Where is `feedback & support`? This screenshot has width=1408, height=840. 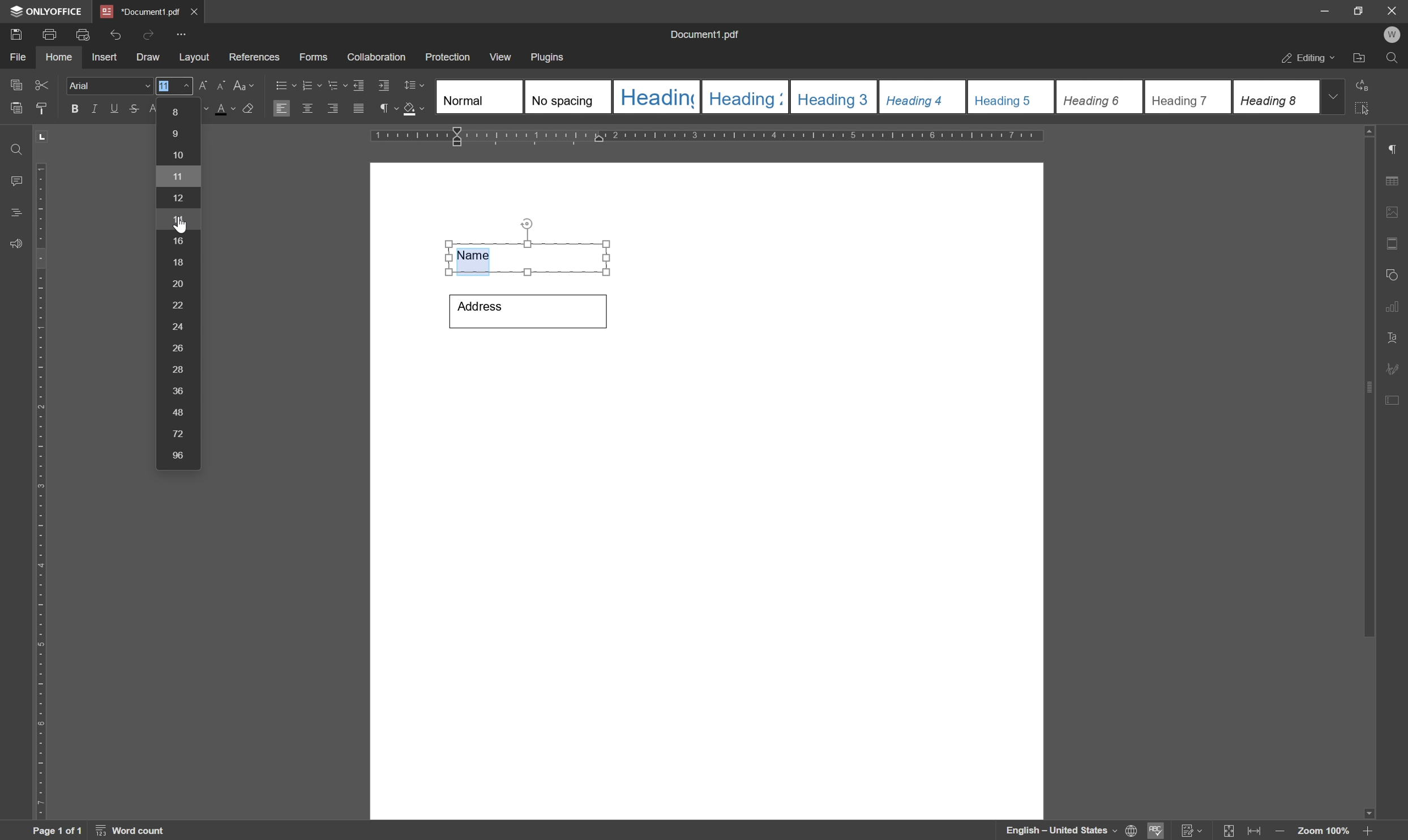
feedback & support is located at coordinates (16, 245).